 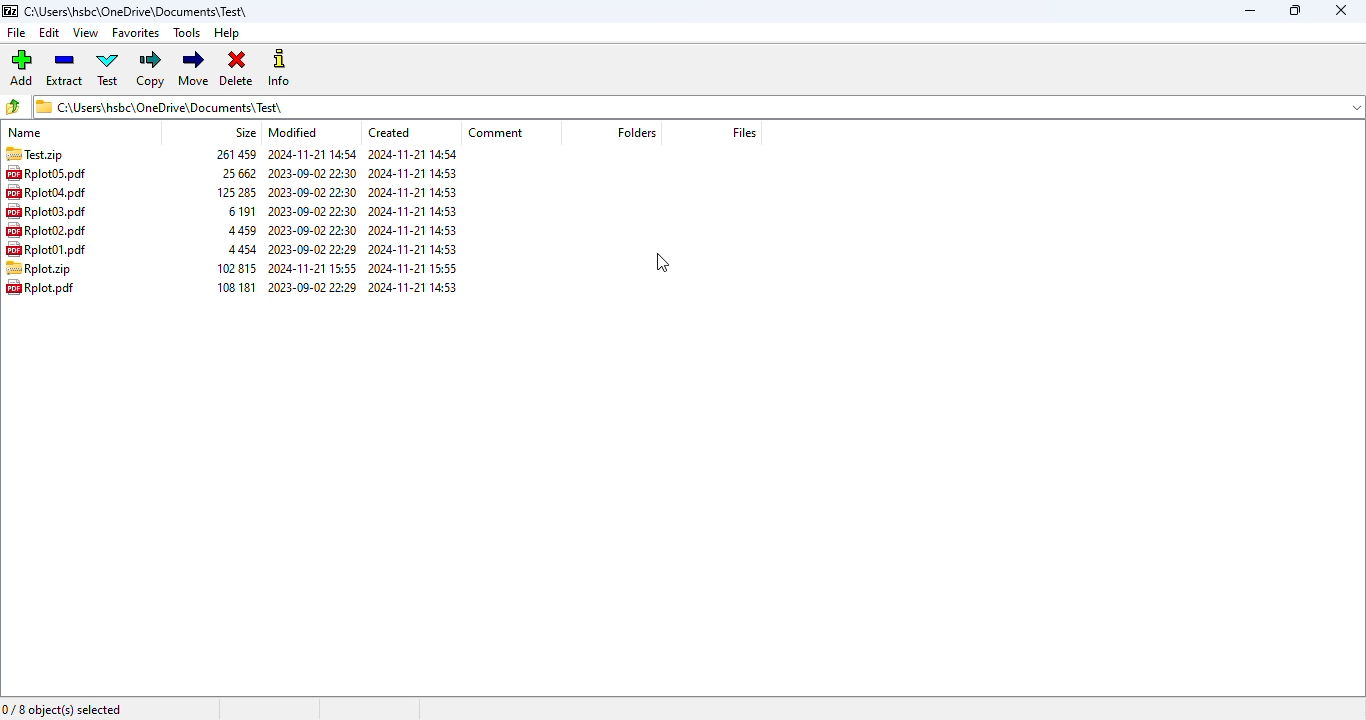 What do you see at coordinates (662, 263) in the screenshot?
I see `cursor` at bounding box center [662, 263].